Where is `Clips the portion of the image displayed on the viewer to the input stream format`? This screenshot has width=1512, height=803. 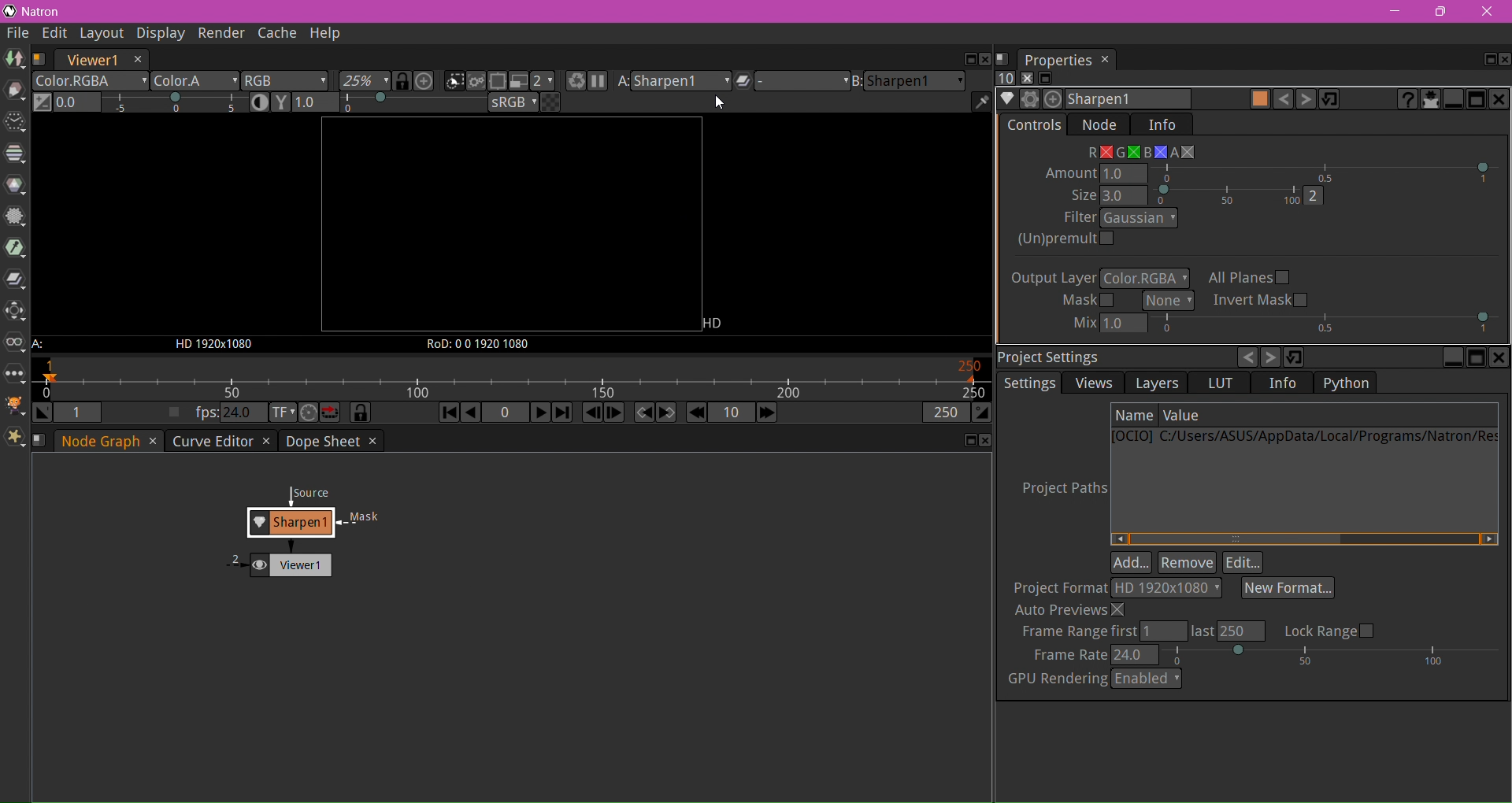 Clips the portion of the image displayed on the viewer to the input stream format is located at coordinates (454, 82).